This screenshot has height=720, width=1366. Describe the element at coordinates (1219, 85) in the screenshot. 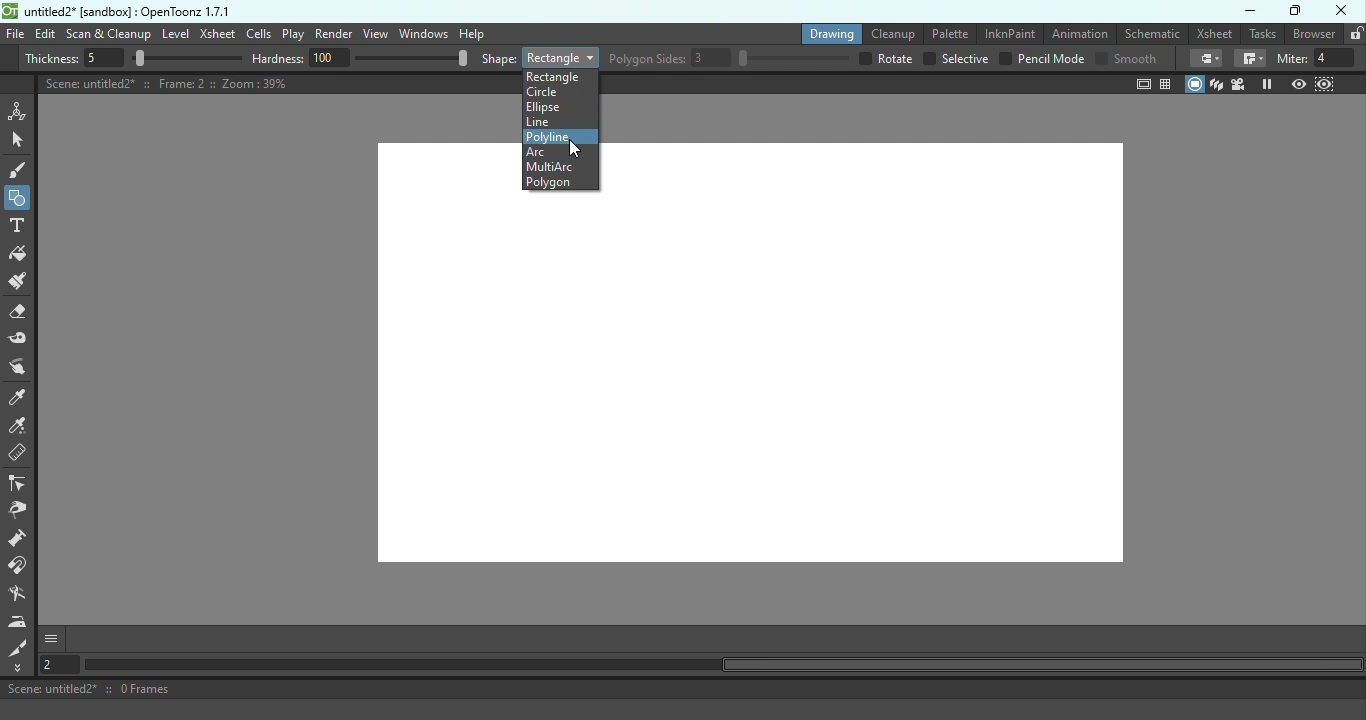

I see `3D view` at that location.